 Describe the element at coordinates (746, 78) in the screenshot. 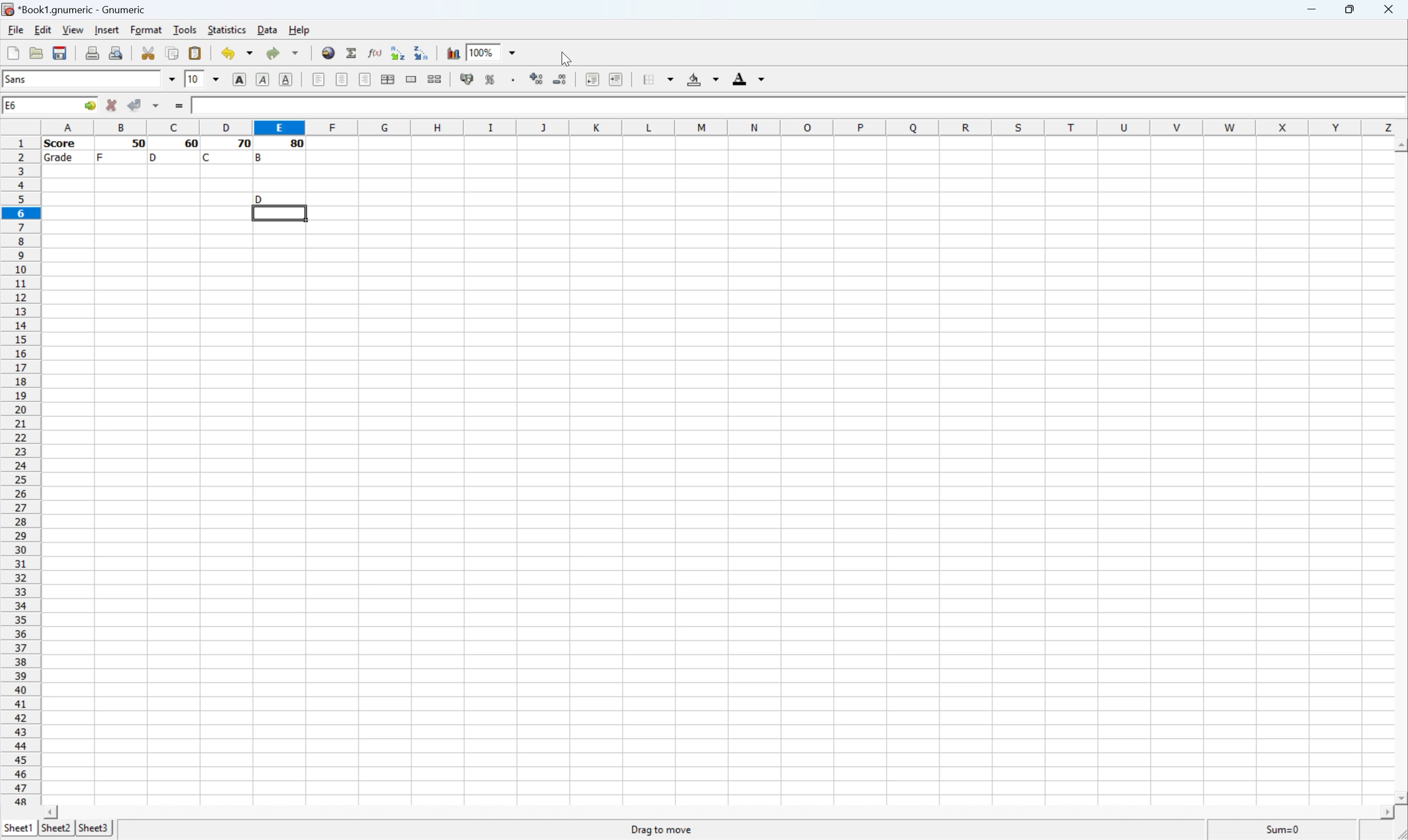

I see `Foreground` at that location.